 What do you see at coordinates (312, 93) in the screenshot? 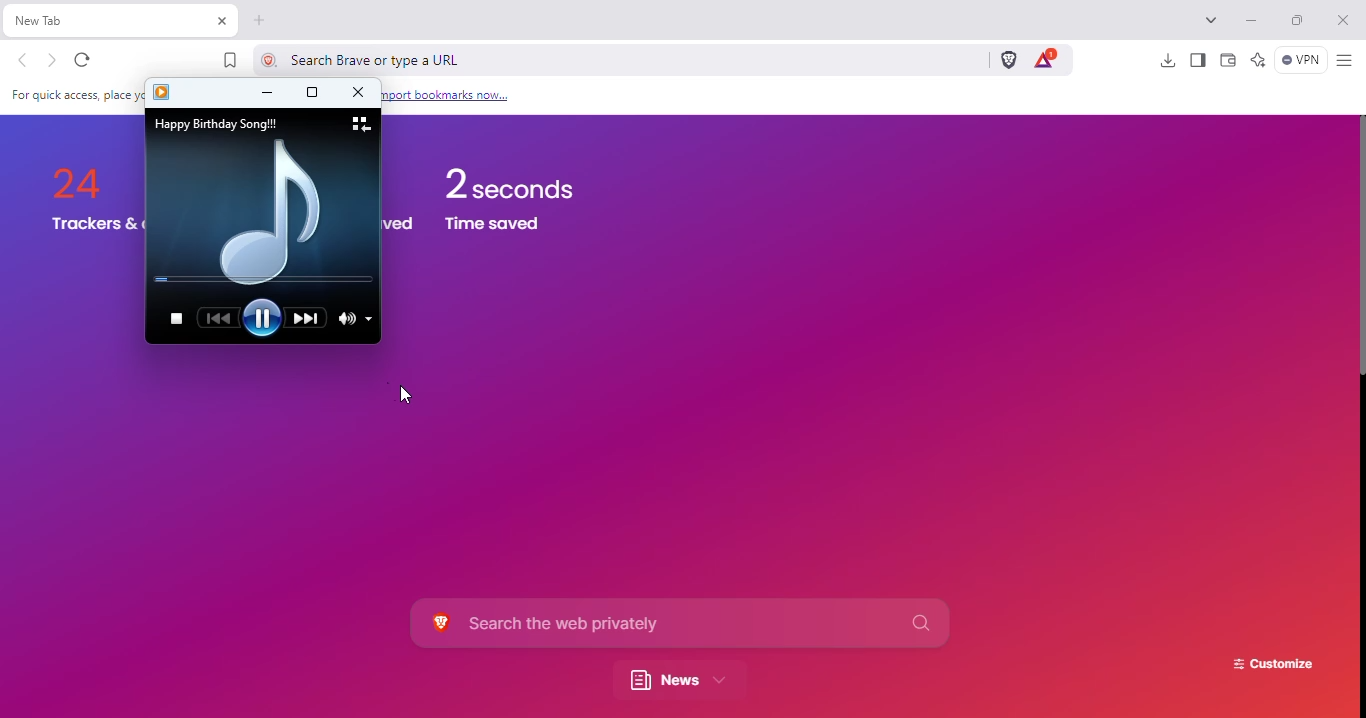
I see `maximize` at bounding box center [312, 93].